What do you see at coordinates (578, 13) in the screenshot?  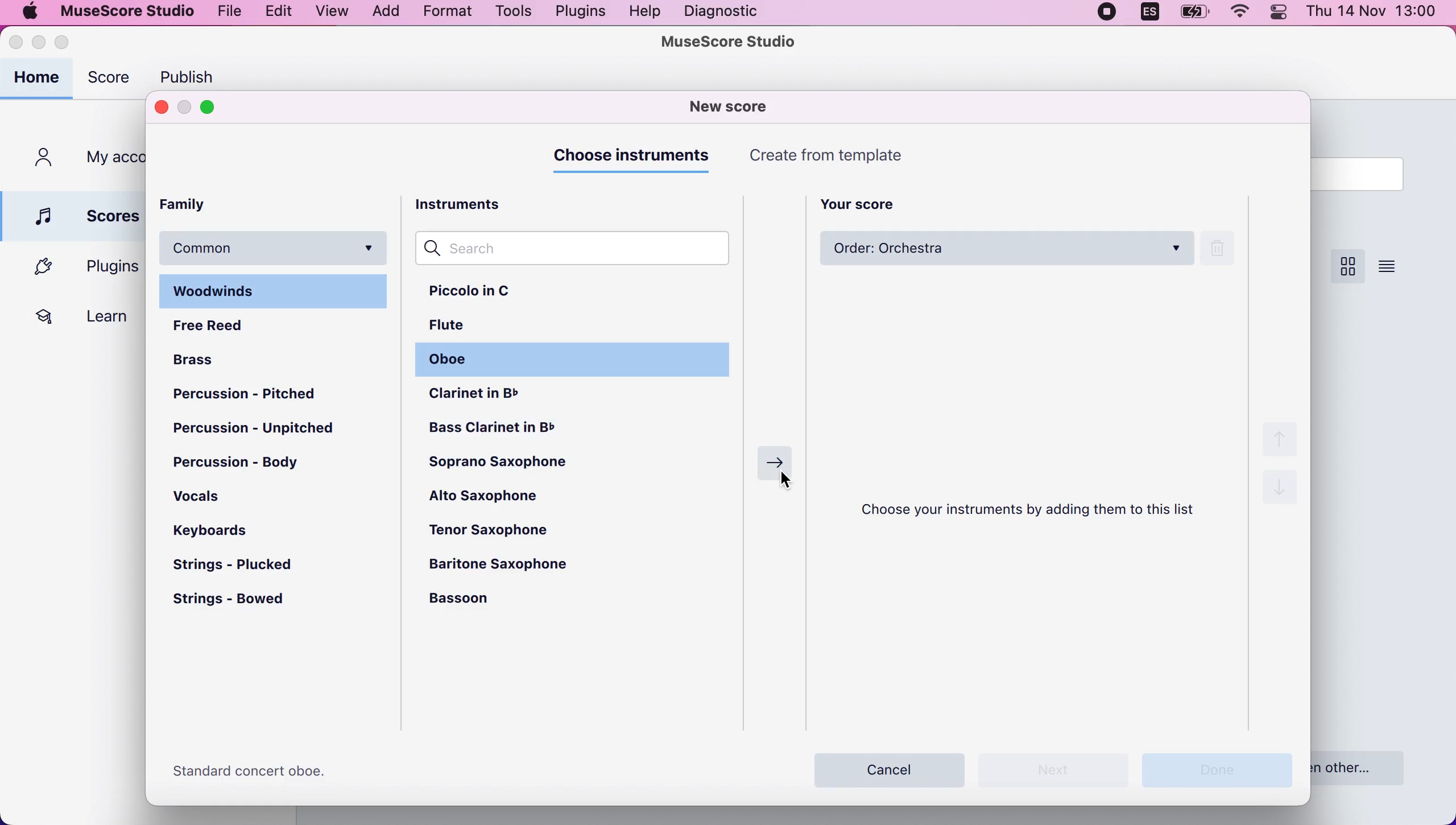 I see `plugins` at bounding box center [578, 13].